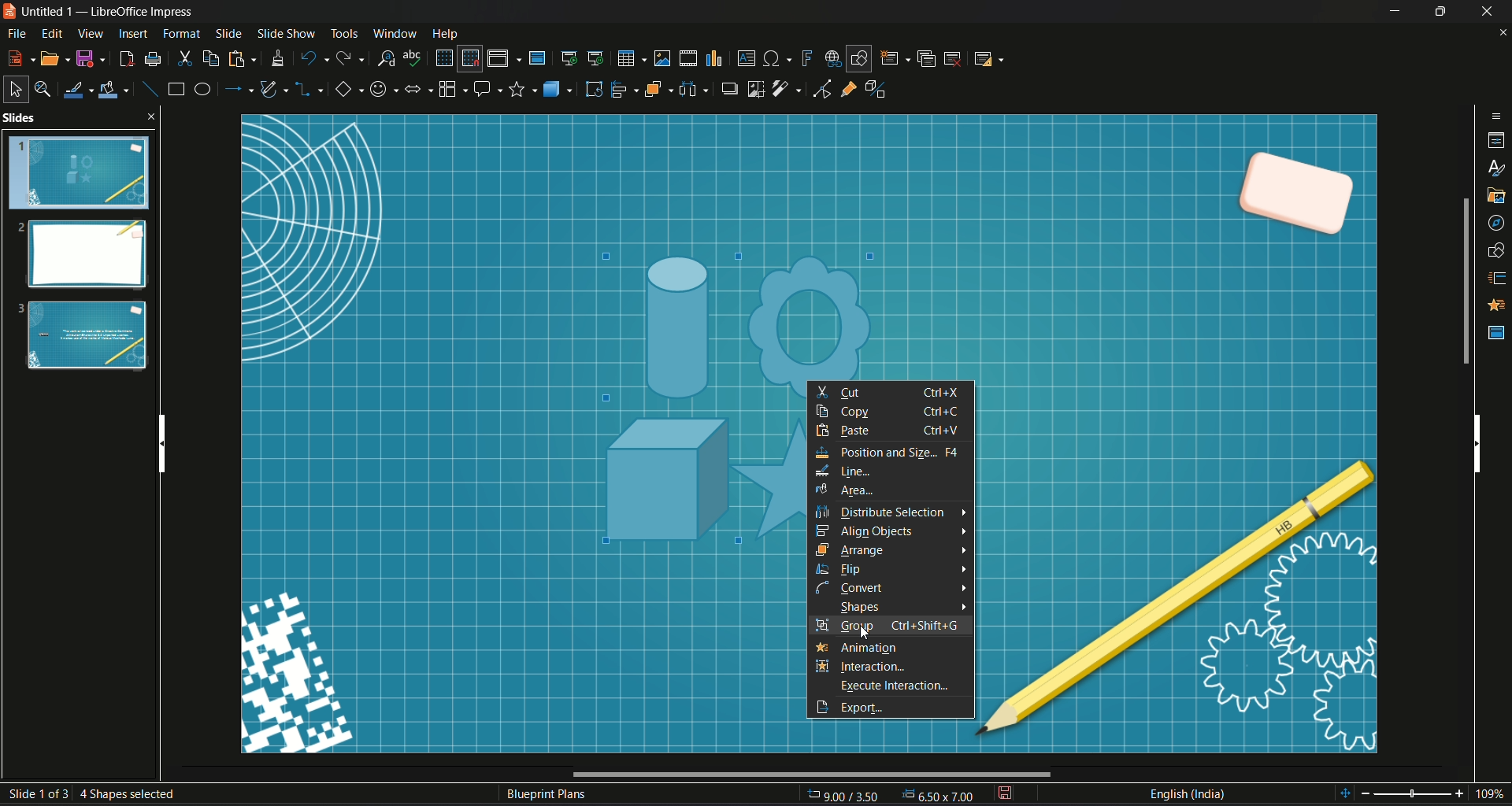  Describe the element at coordinates (892, 796) in the screenshot. I see `Page Dimensions` at that location.